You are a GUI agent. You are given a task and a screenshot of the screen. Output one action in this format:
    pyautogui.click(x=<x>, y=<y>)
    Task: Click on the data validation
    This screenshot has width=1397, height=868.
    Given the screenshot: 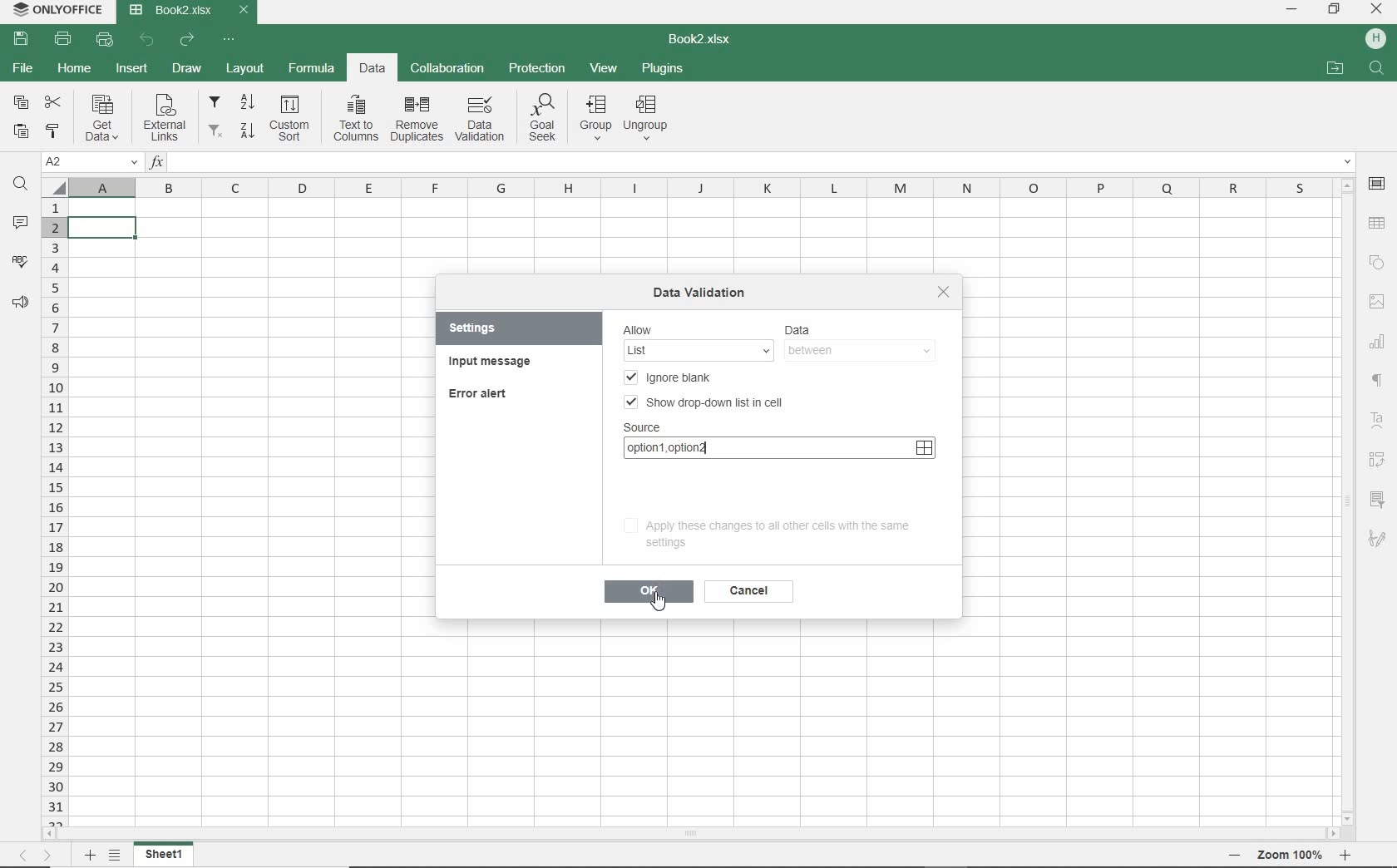 What is the action you would take?
    pyautogui.click(x=703, y=290)
    